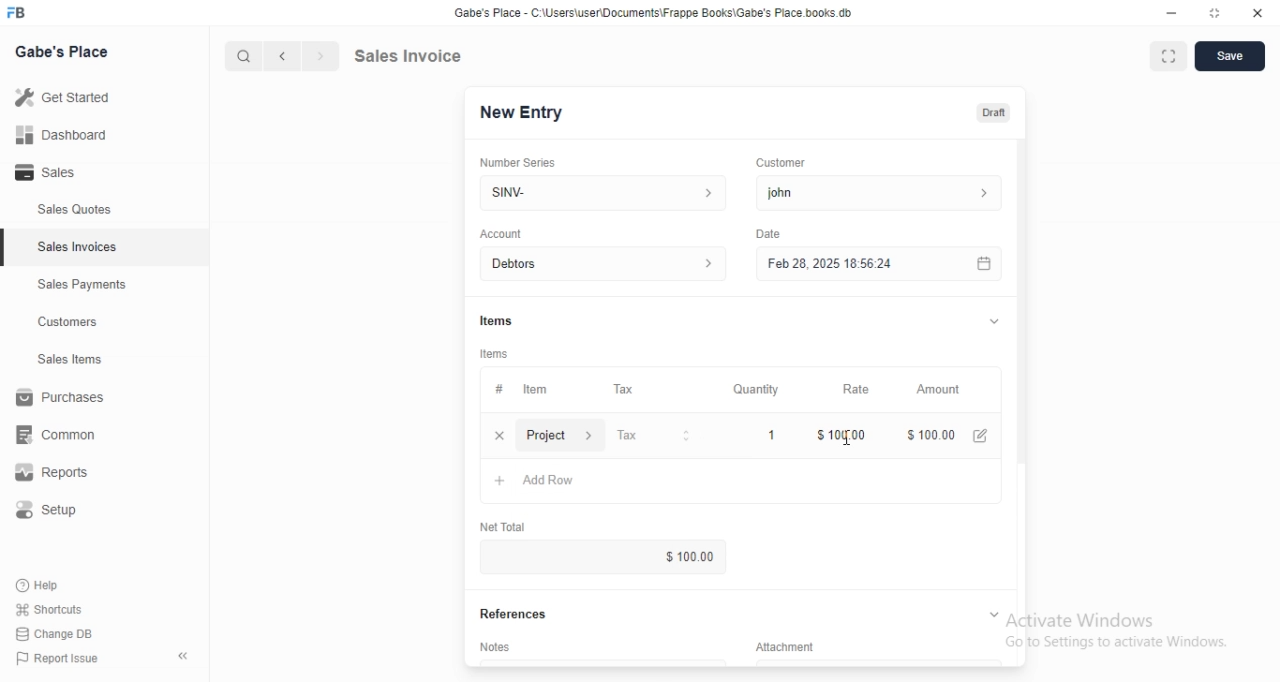 Image resolution: width=1280 pixels, height=682 pixels. Describe the element at coordinates (234, 56) in the screenshot. I see `cursor` at that location.